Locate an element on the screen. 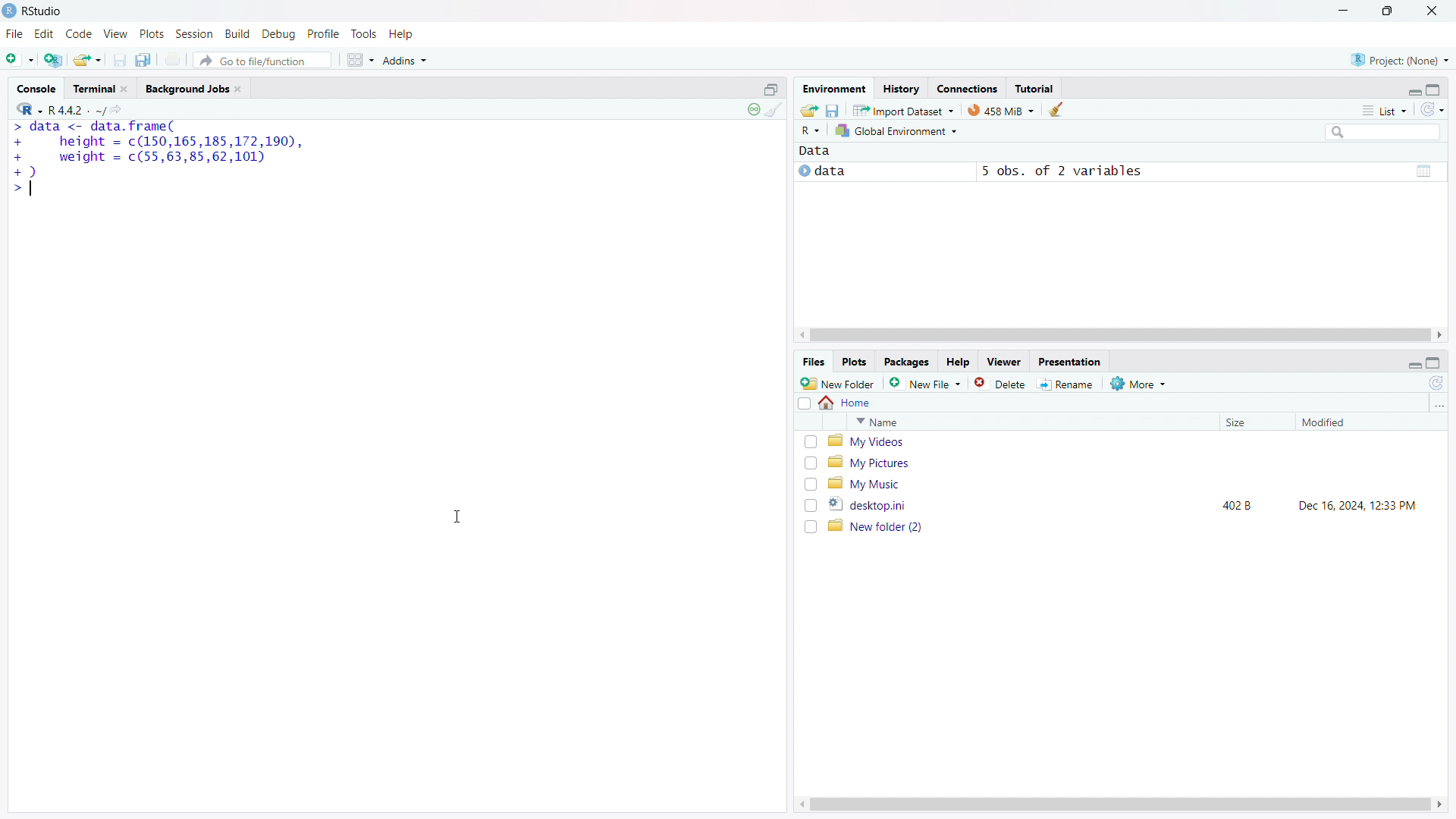 This screenshot has height=819, width=1456. scroll right is located at coordinates (1441, 805).